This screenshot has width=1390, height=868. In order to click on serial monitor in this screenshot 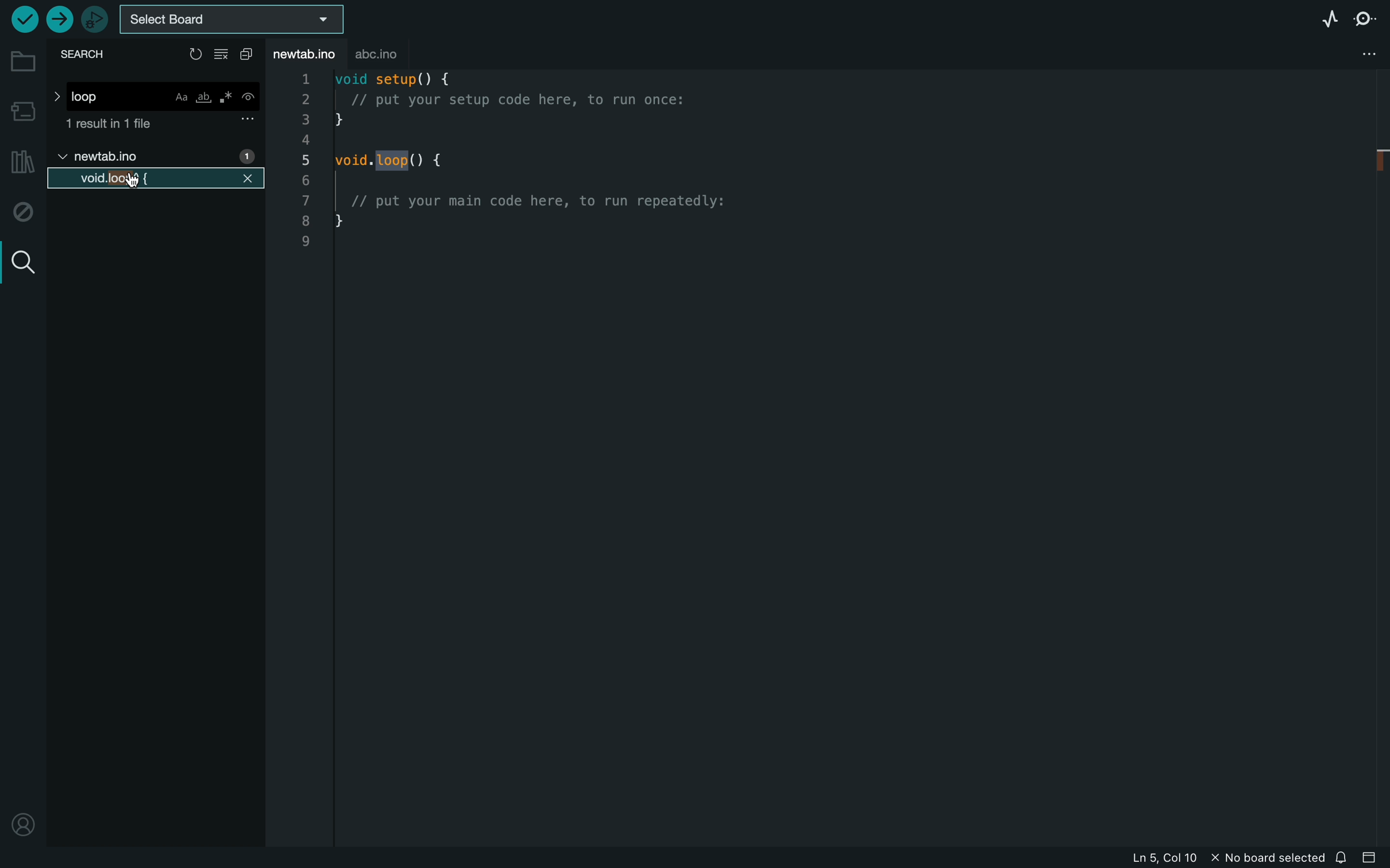, I will do `click(1364, 21)`.